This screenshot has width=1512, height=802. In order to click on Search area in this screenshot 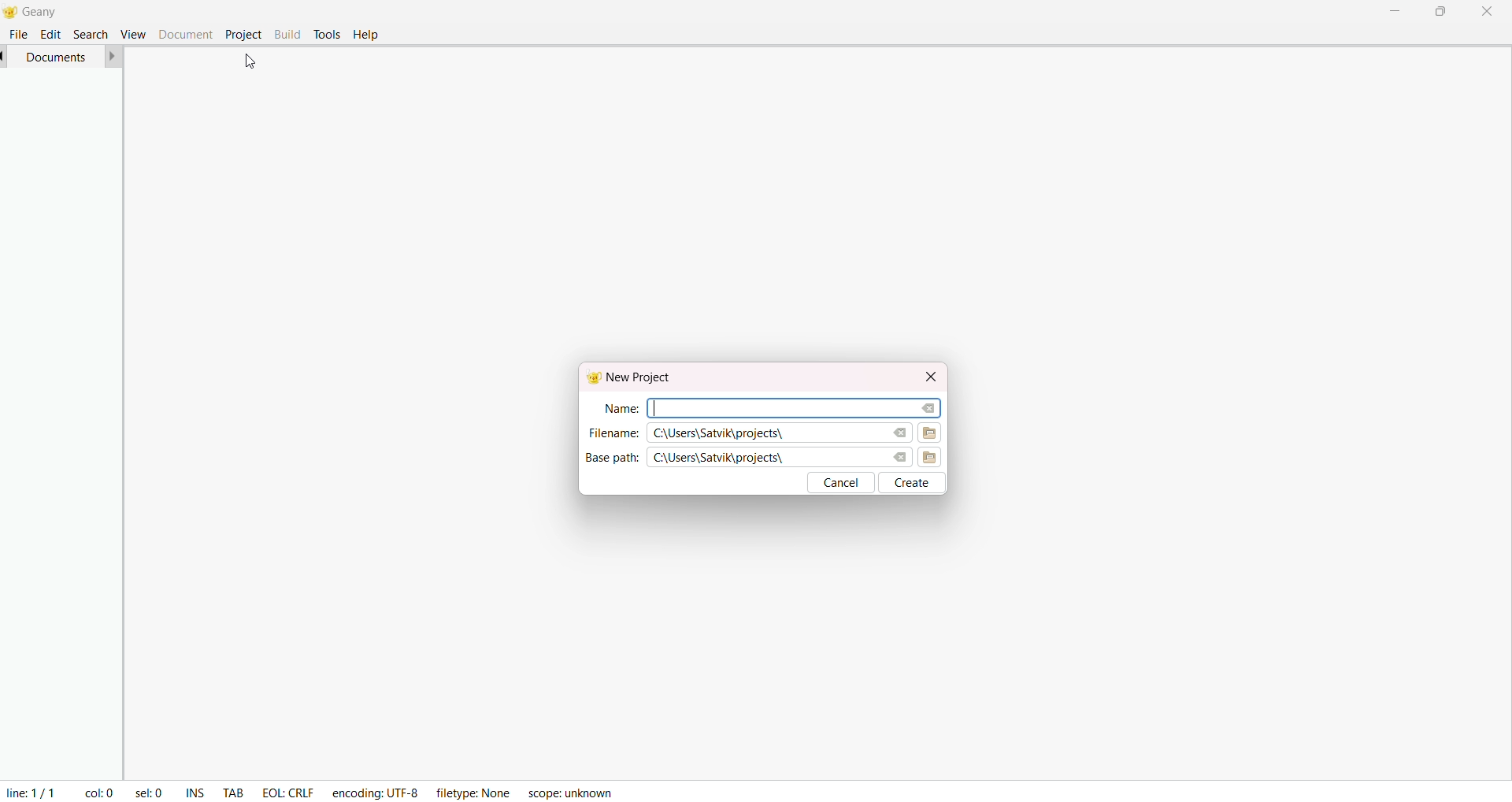, I will do `click(791, 405)`.